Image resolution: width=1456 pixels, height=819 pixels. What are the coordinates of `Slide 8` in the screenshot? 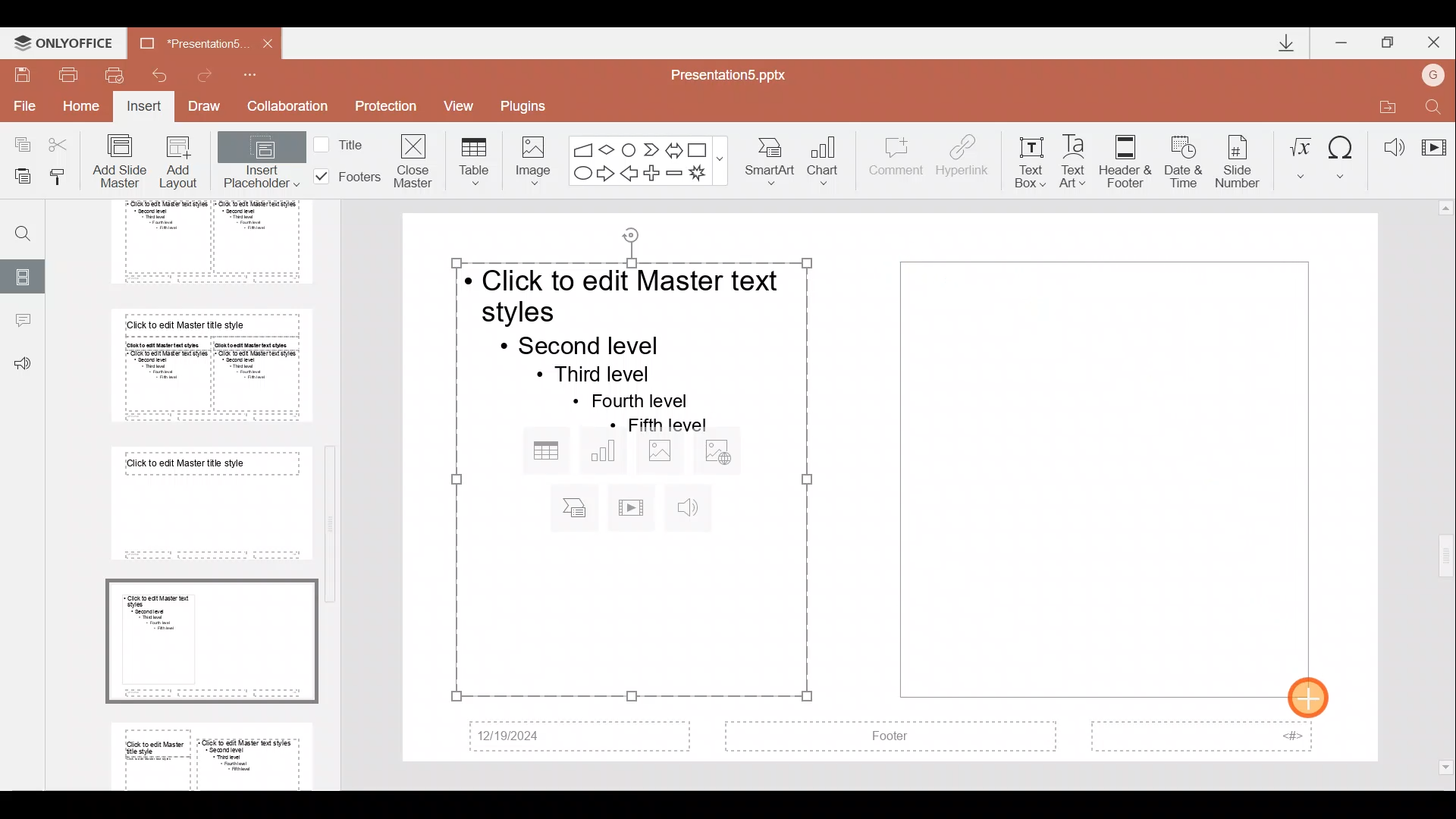 It's located at (210, 638).